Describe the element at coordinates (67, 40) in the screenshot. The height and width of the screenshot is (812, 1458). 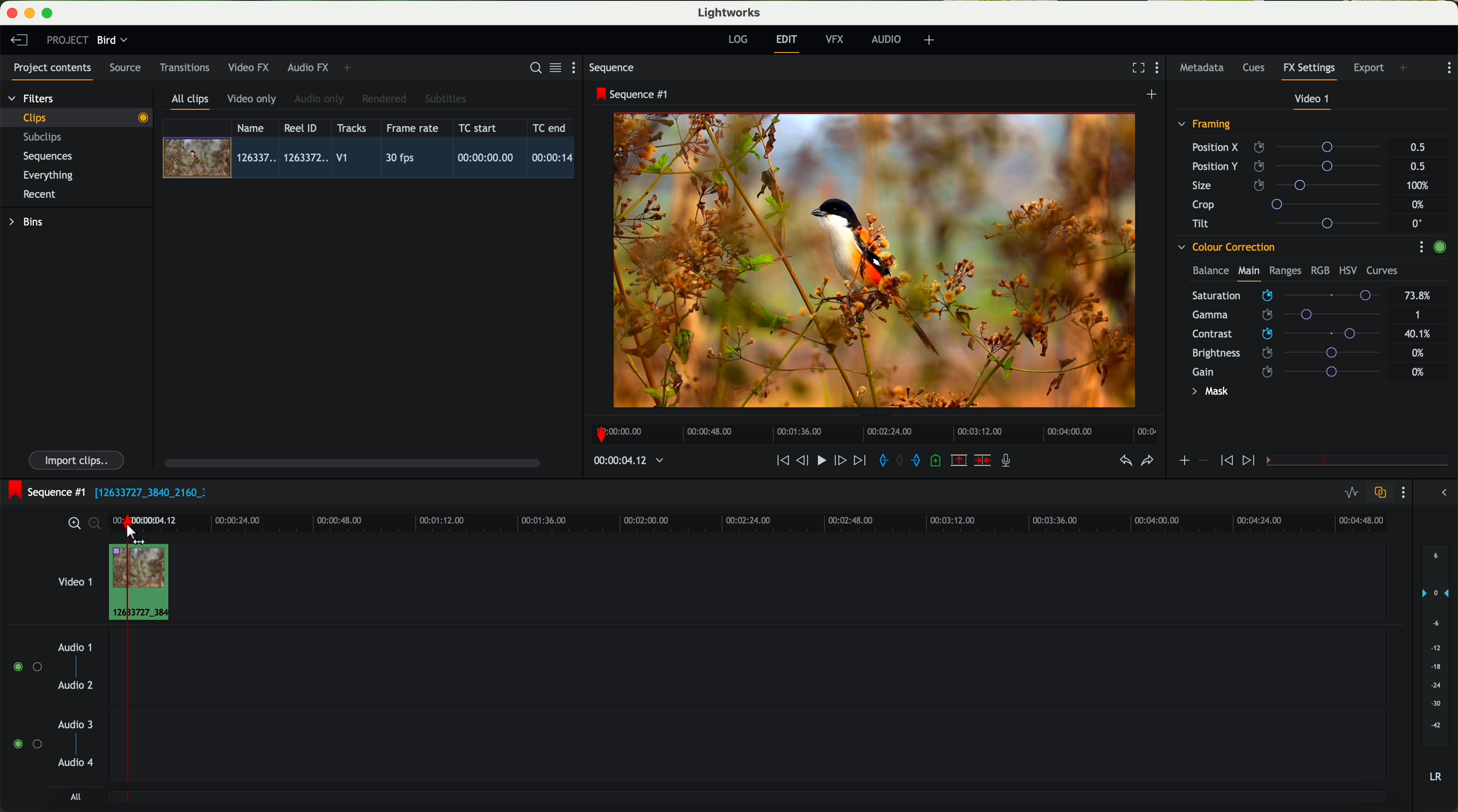
I see `project` at that location.